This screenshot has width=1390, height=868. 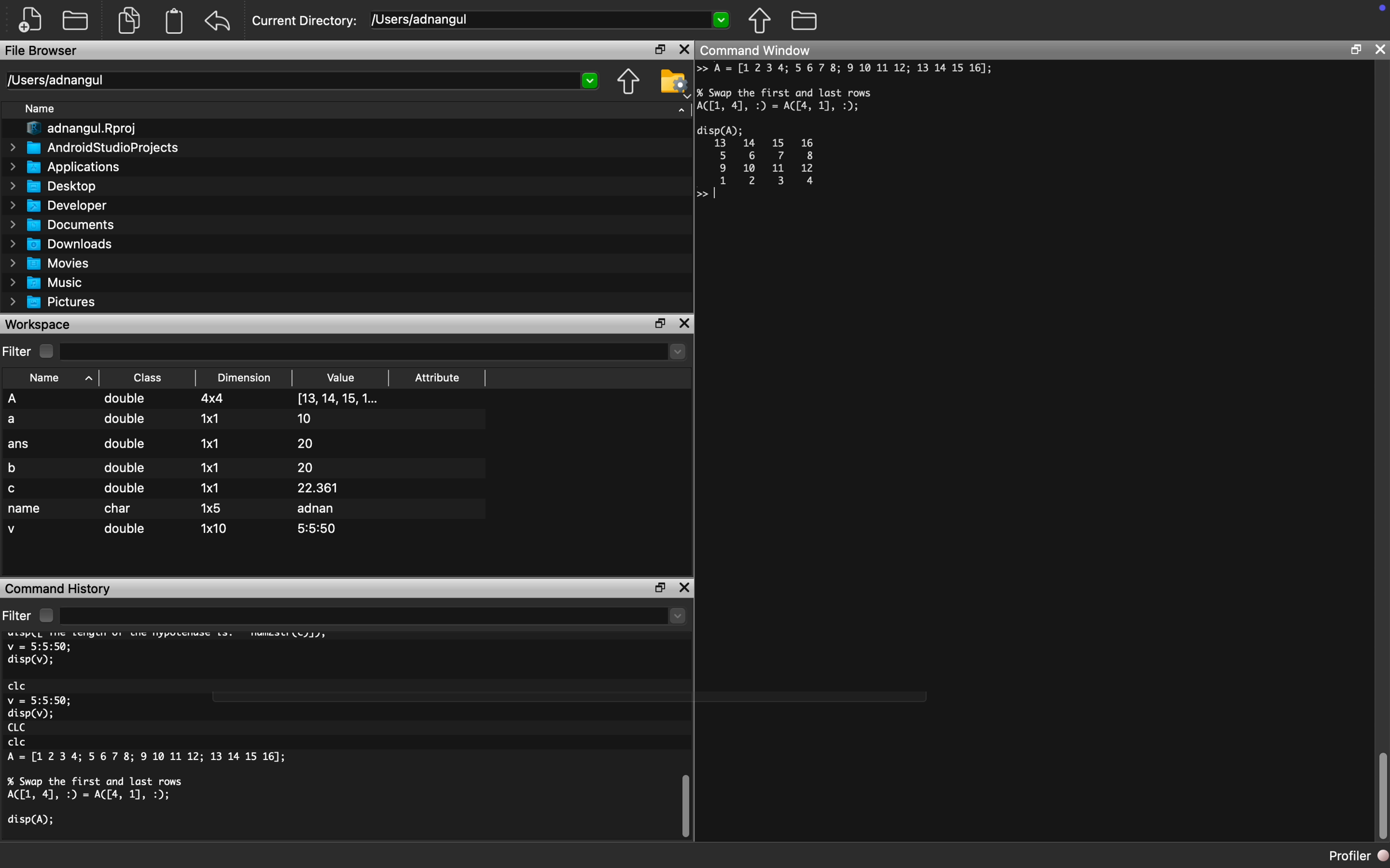 What do you see at coordinates (774, 49) in the screenshot?
I see `Command Window` at bounding box center [774, 49].